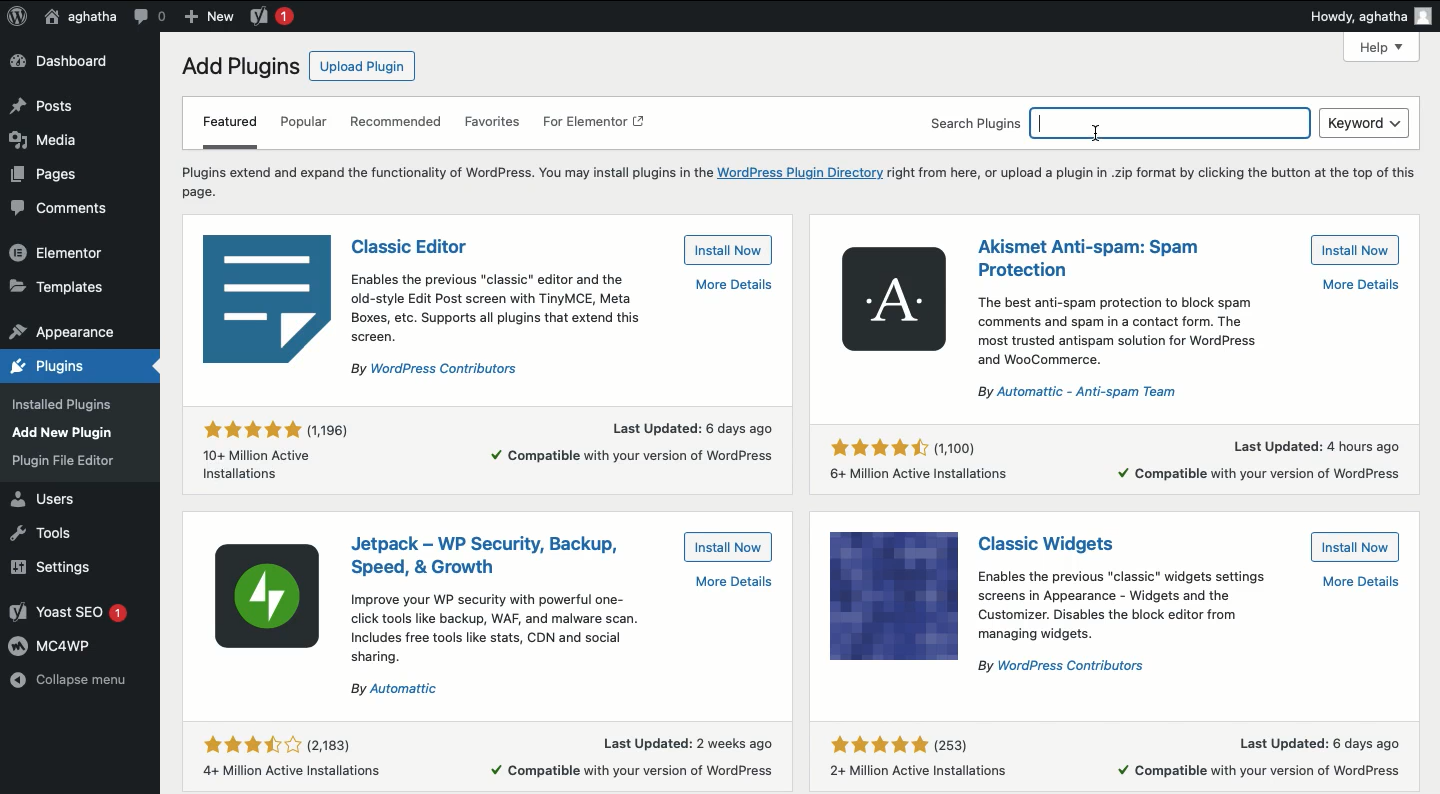  I want to click on Popular, so click(305, 124).